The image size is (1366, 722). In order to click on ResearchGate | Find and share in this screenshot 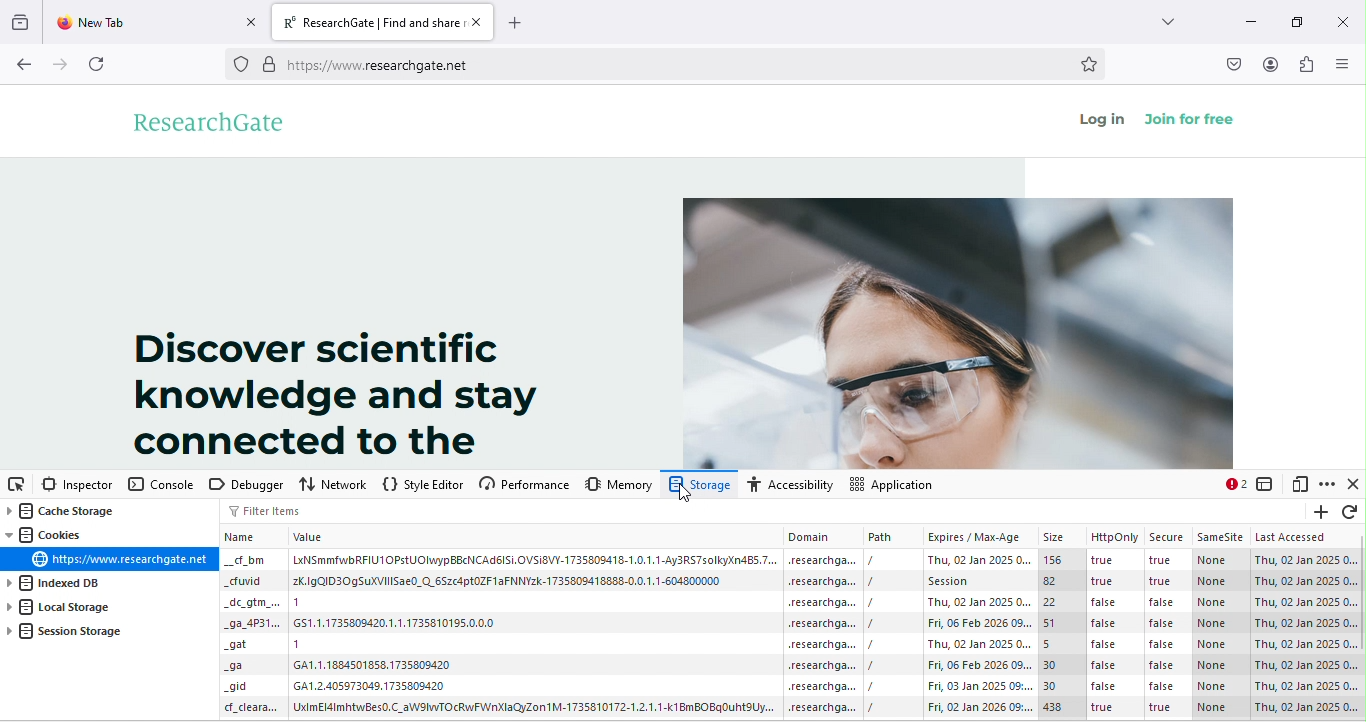, I will do `click(373, 21)`.